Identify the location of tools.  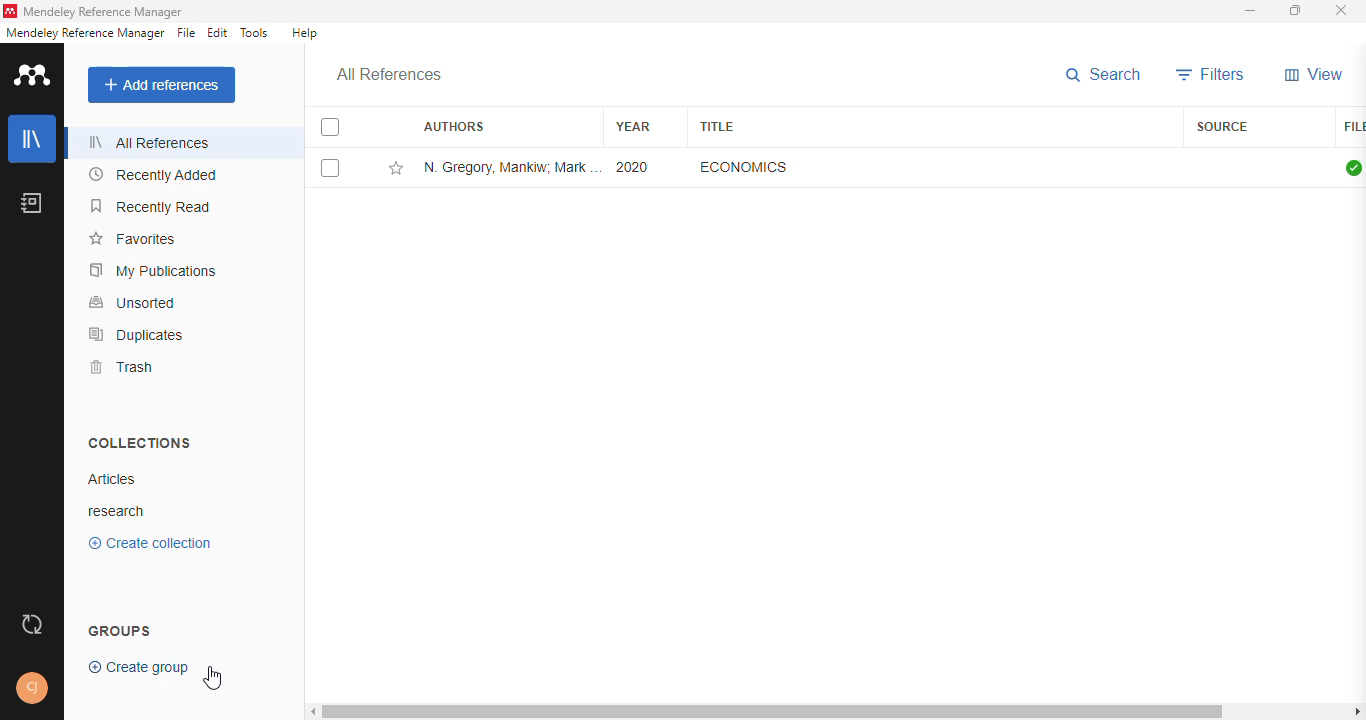
(255, 32).